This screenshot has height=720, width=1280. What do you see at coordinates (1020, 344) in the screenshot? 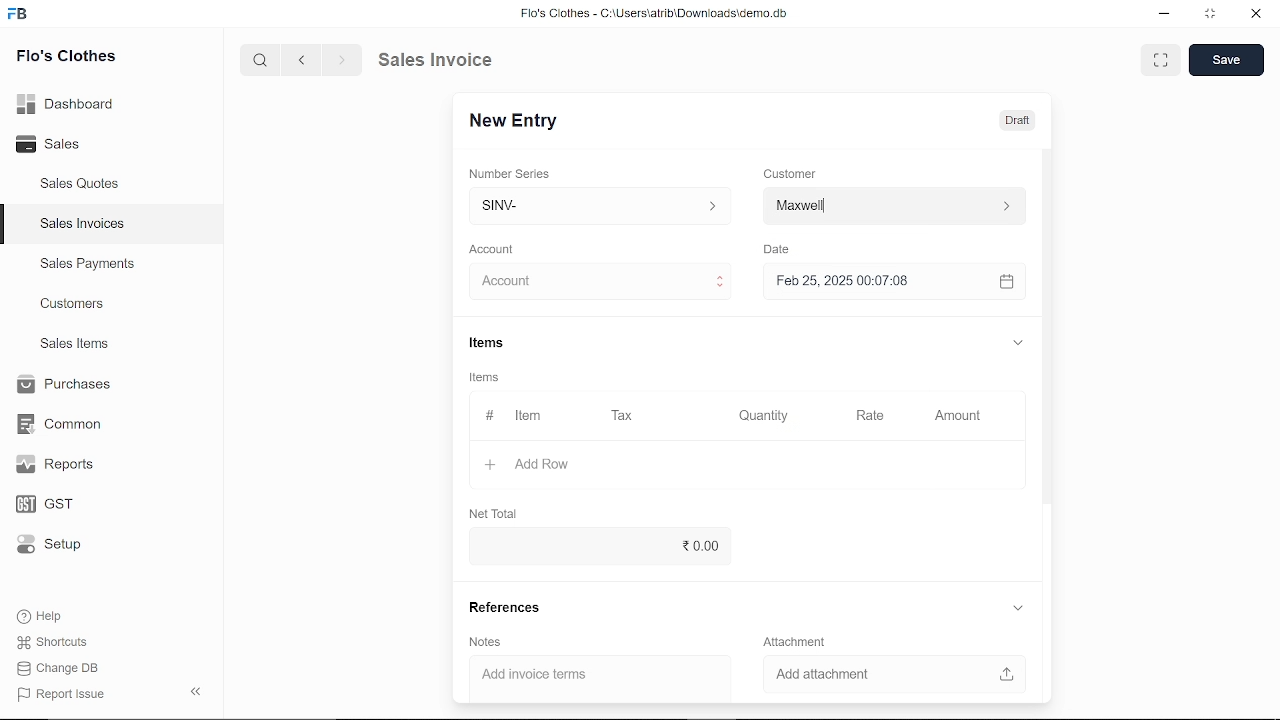
I see `expand` at bounding box center [1020, 344].